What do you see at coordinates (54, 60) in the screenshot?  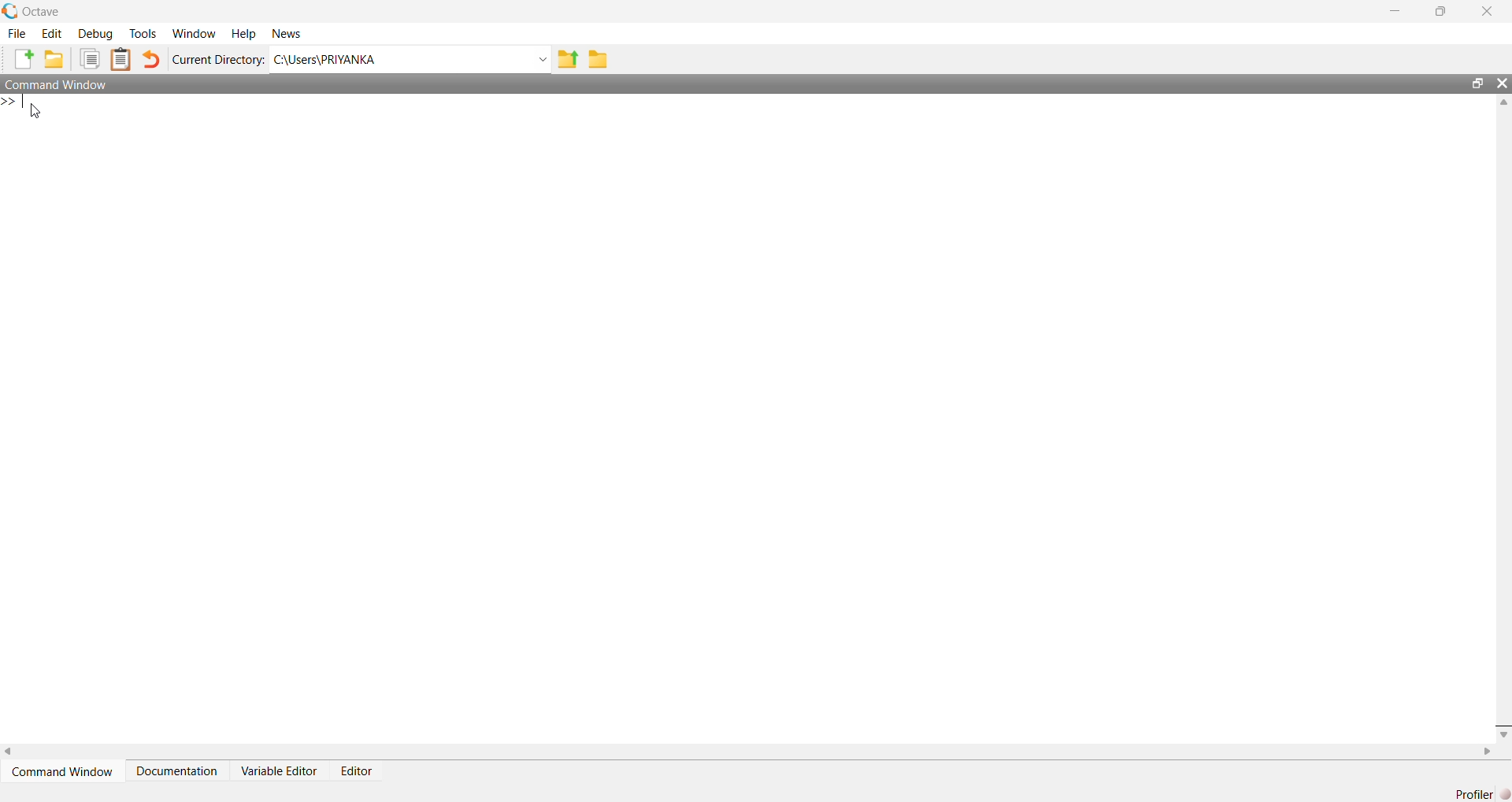 I see `add folder` at bounding box center [54, 60].